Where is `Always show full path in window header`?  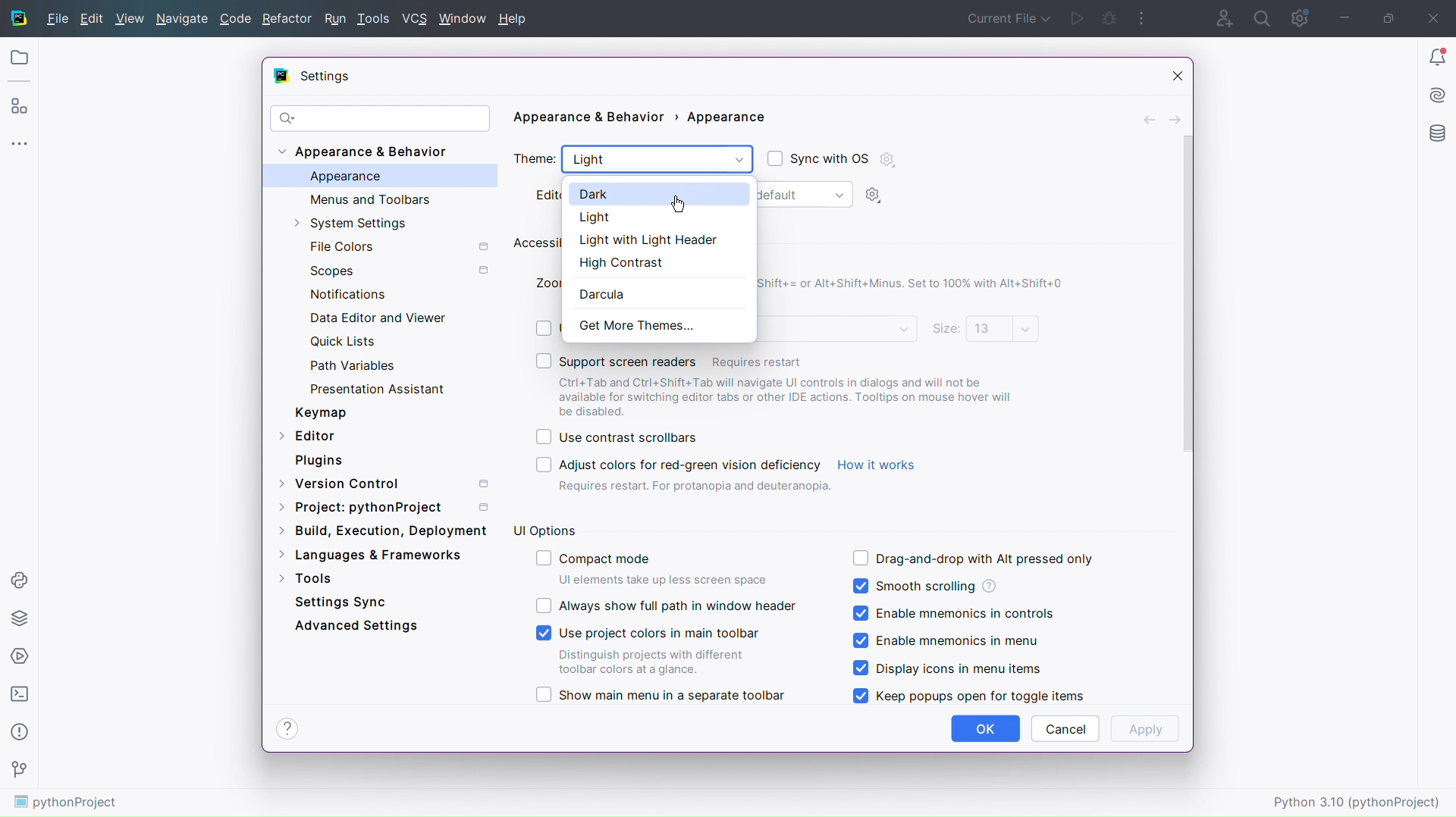 Always show full path in window header is located at coordinates (666, 606).